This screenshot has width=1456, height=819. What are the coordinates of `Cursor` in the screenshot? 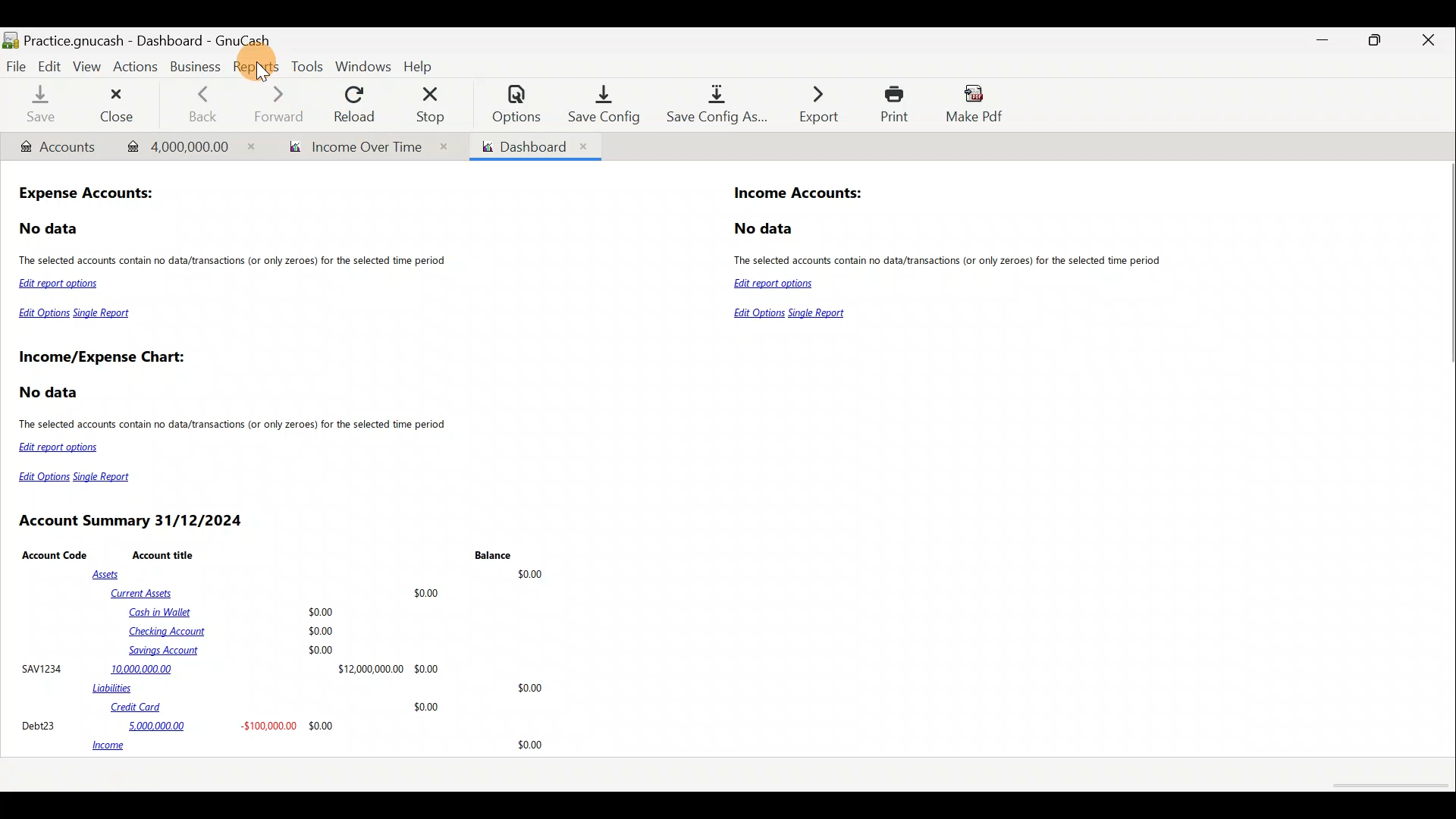 It's located at (262, 64).